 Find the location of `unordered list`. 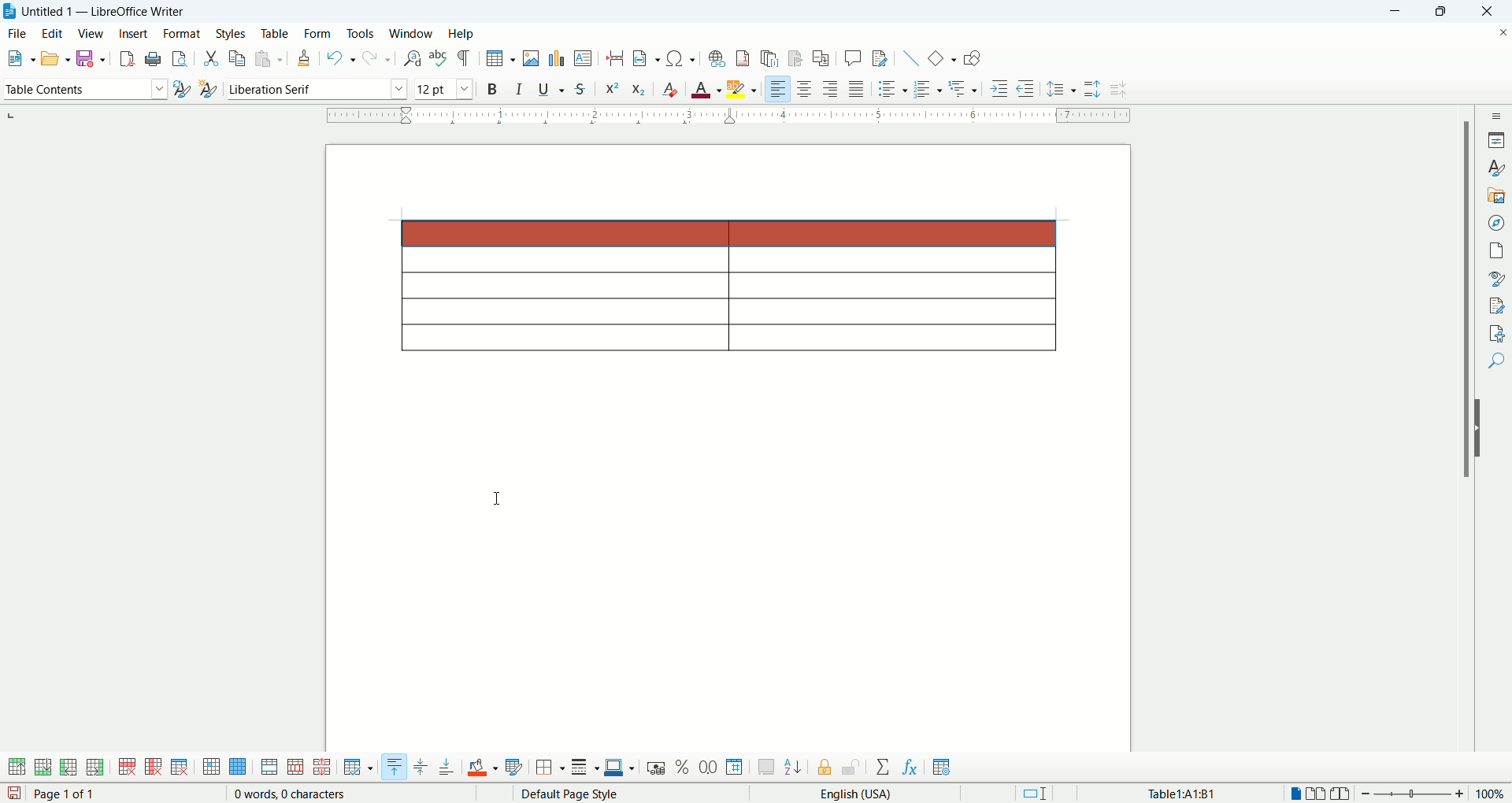

unordered list is located at coordinates (891, 88).